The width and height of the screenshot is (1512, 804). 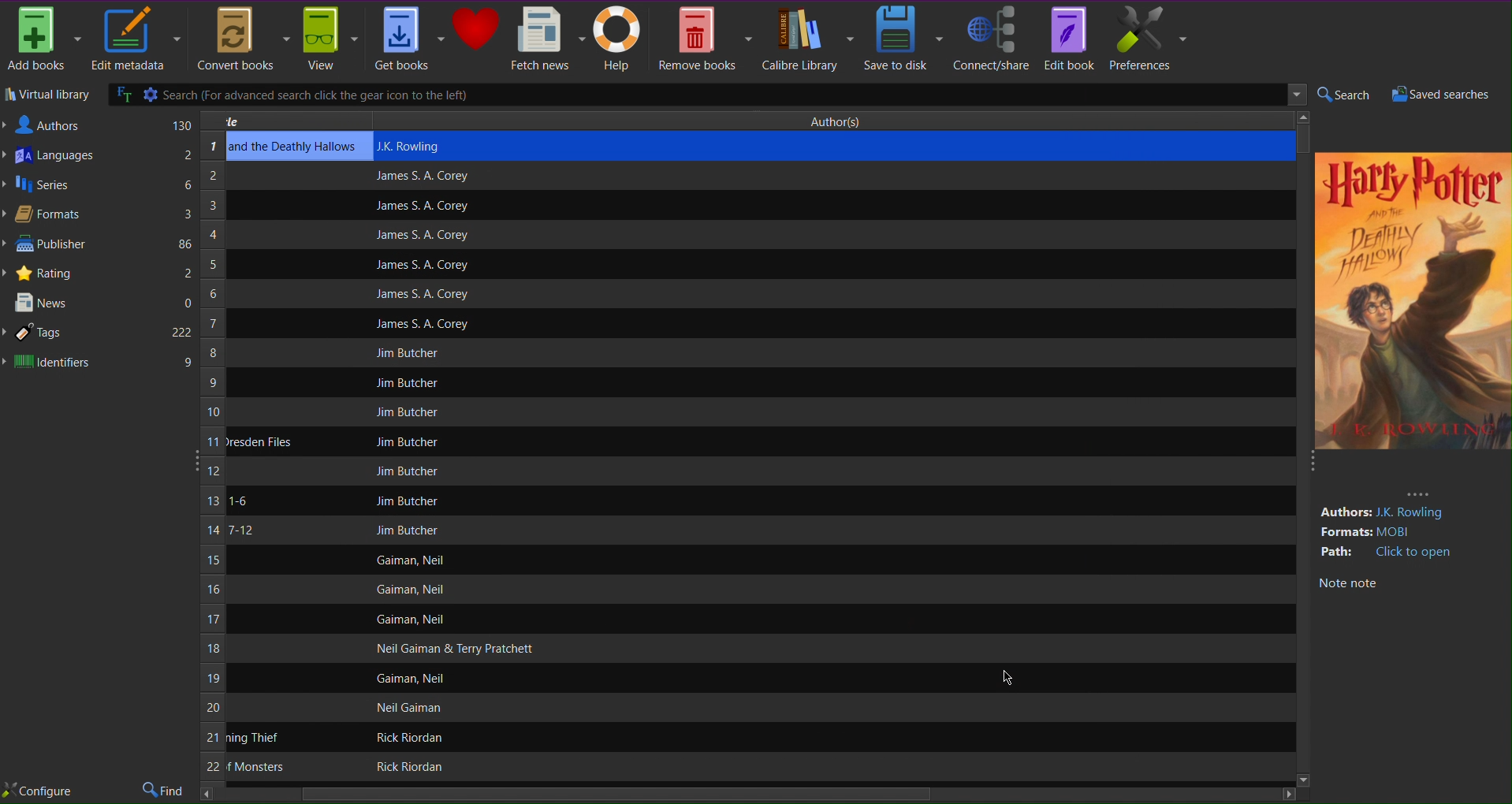 I want to click on Gaiman, Neil, so click(x=408, y=590).